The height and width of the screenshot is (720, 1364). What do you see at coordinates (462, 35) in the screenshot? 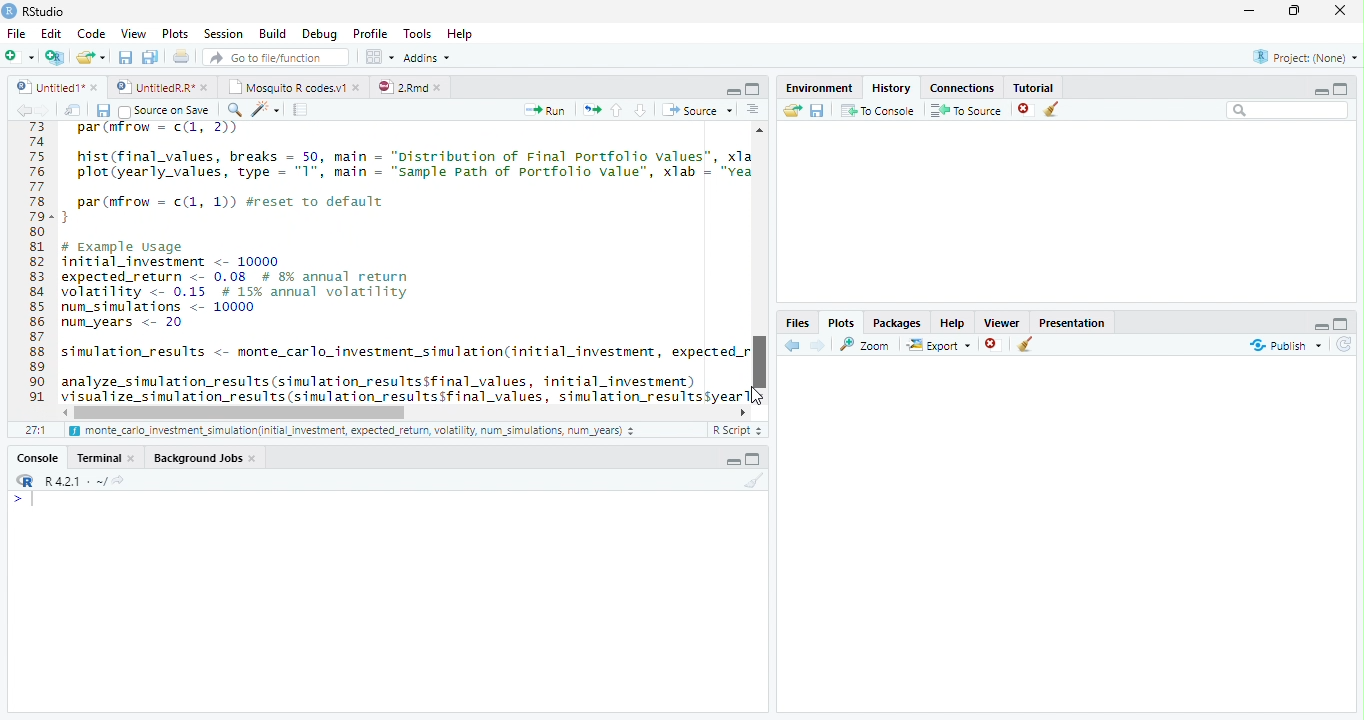
I see `Help` at bounding box center [462, 35].